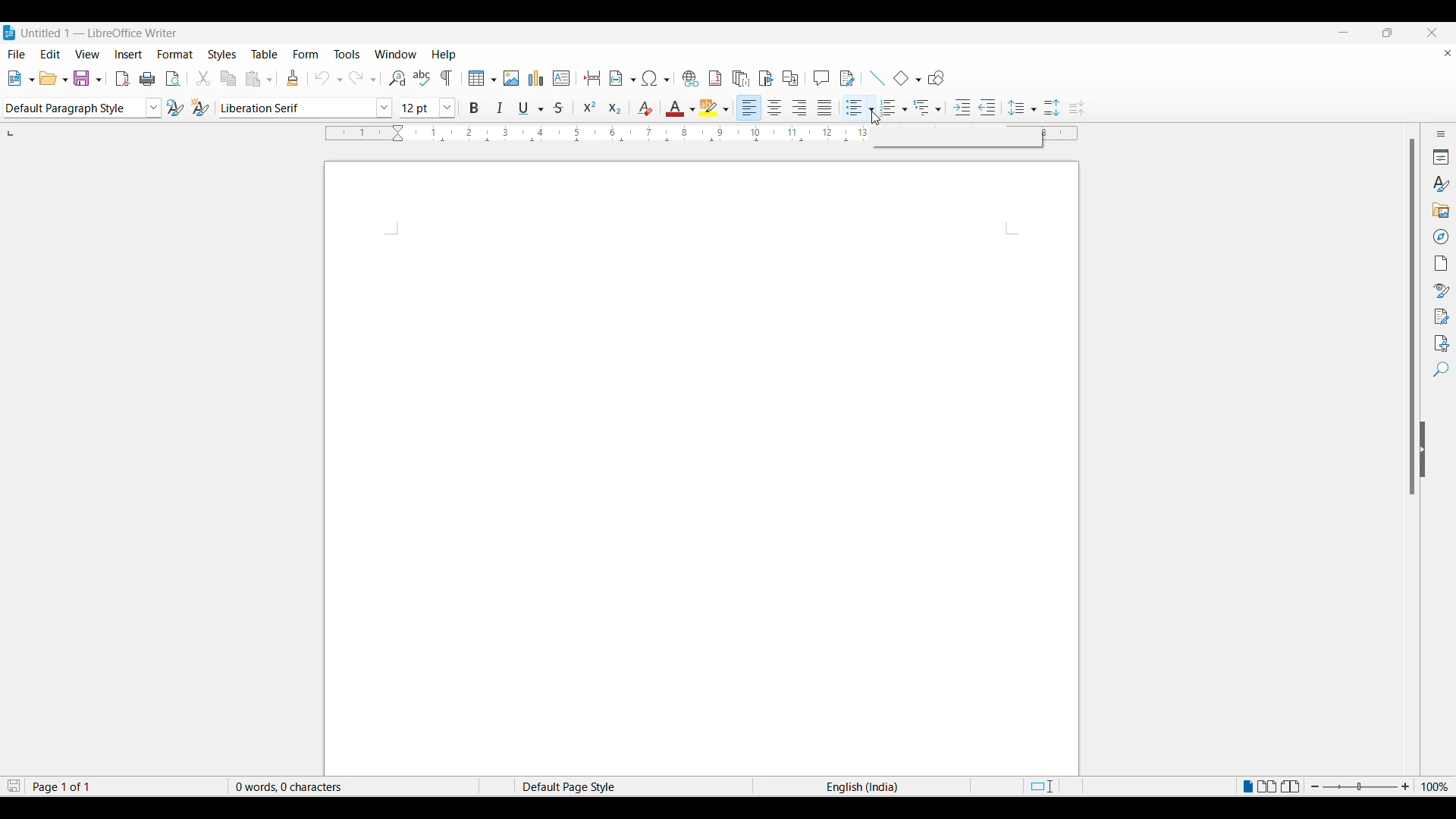 This screenshot has height=819, width=1456. Describe the element at coordinates (228, 78) in the screenshot. I see `copy` at that location.